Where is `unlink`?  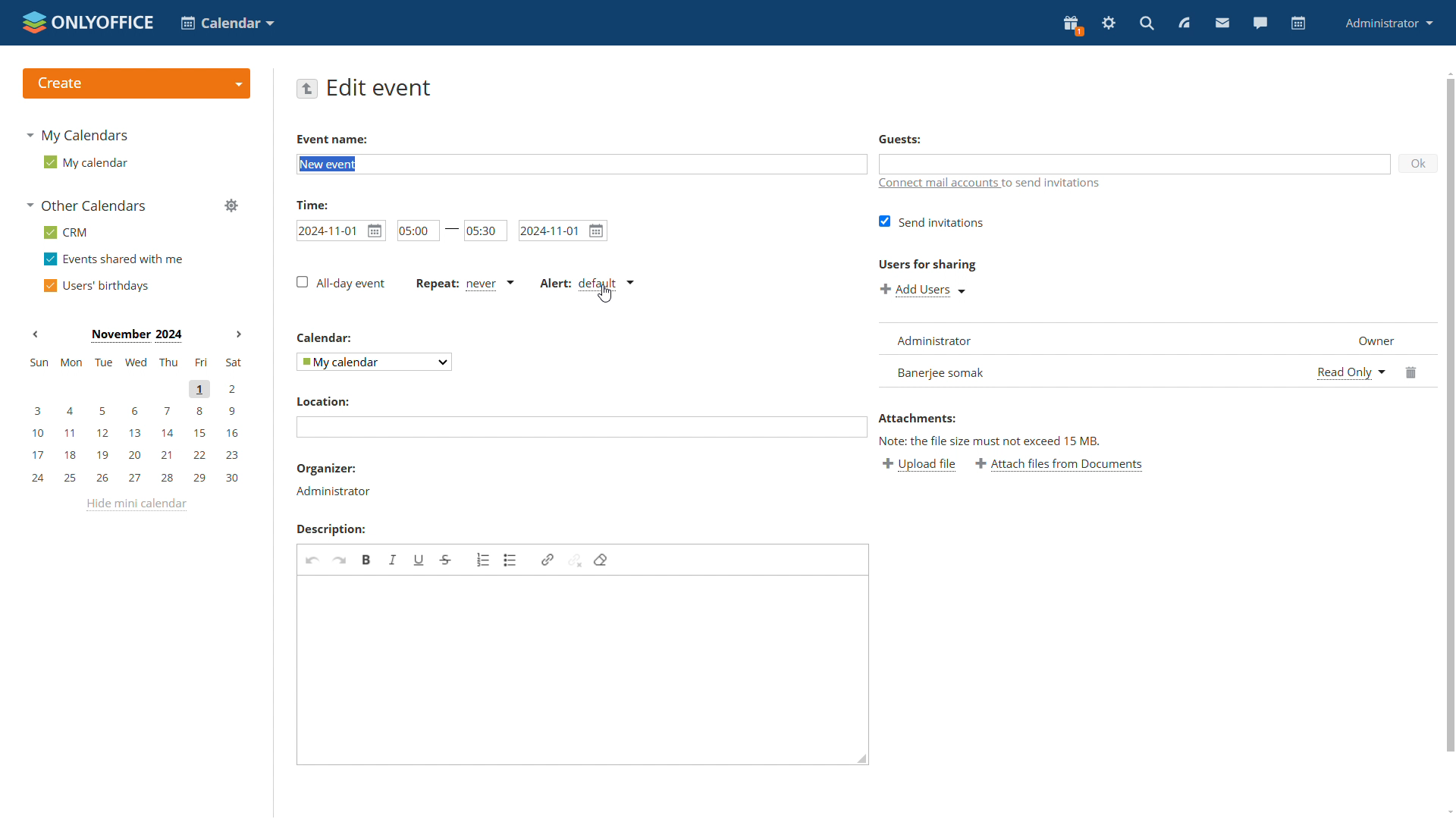 unlink is located at coordinates (575, 560).